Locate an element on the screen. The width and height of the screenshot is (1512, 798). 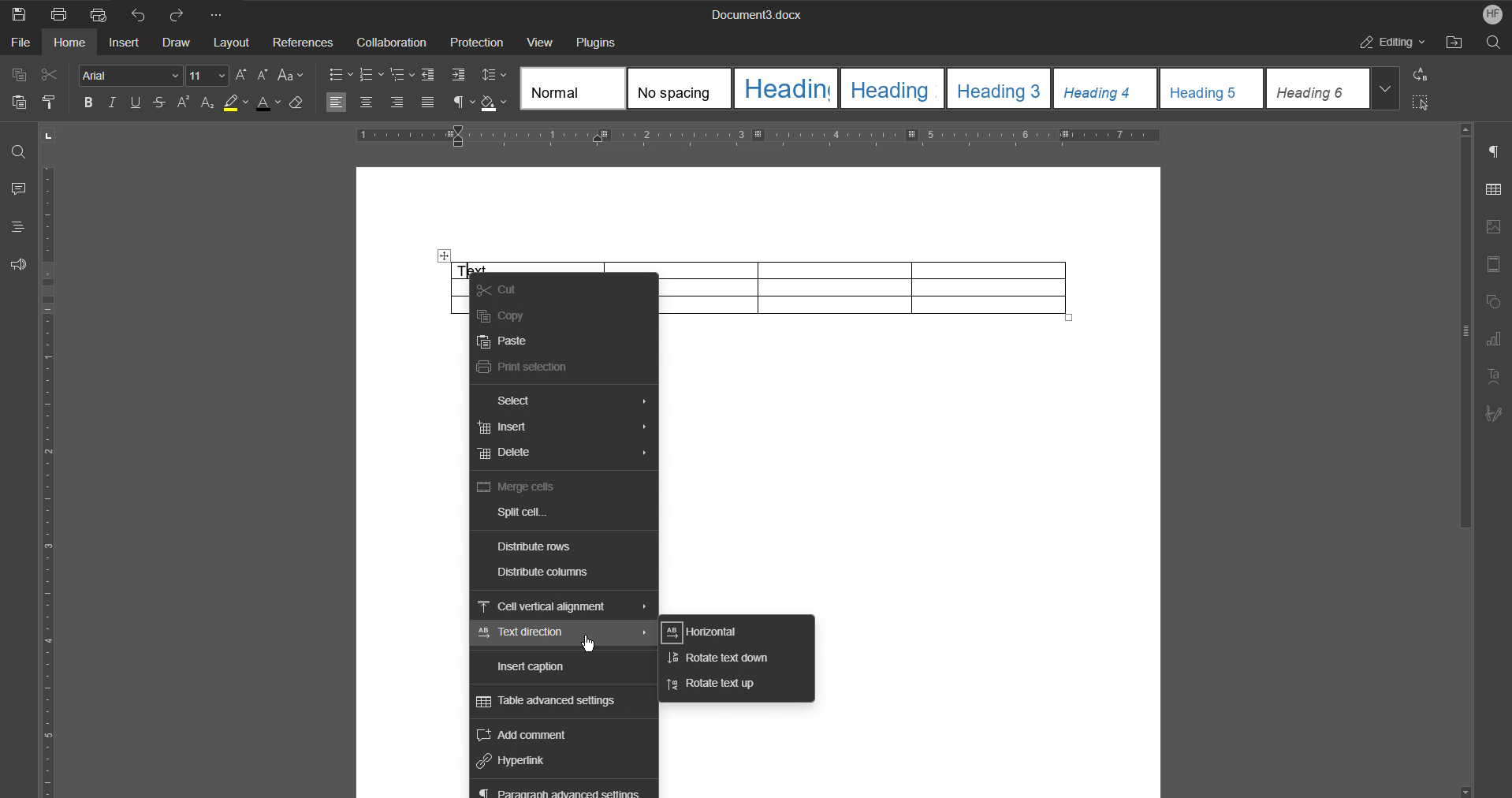
Quick Print is located at coordinates (97, 13).